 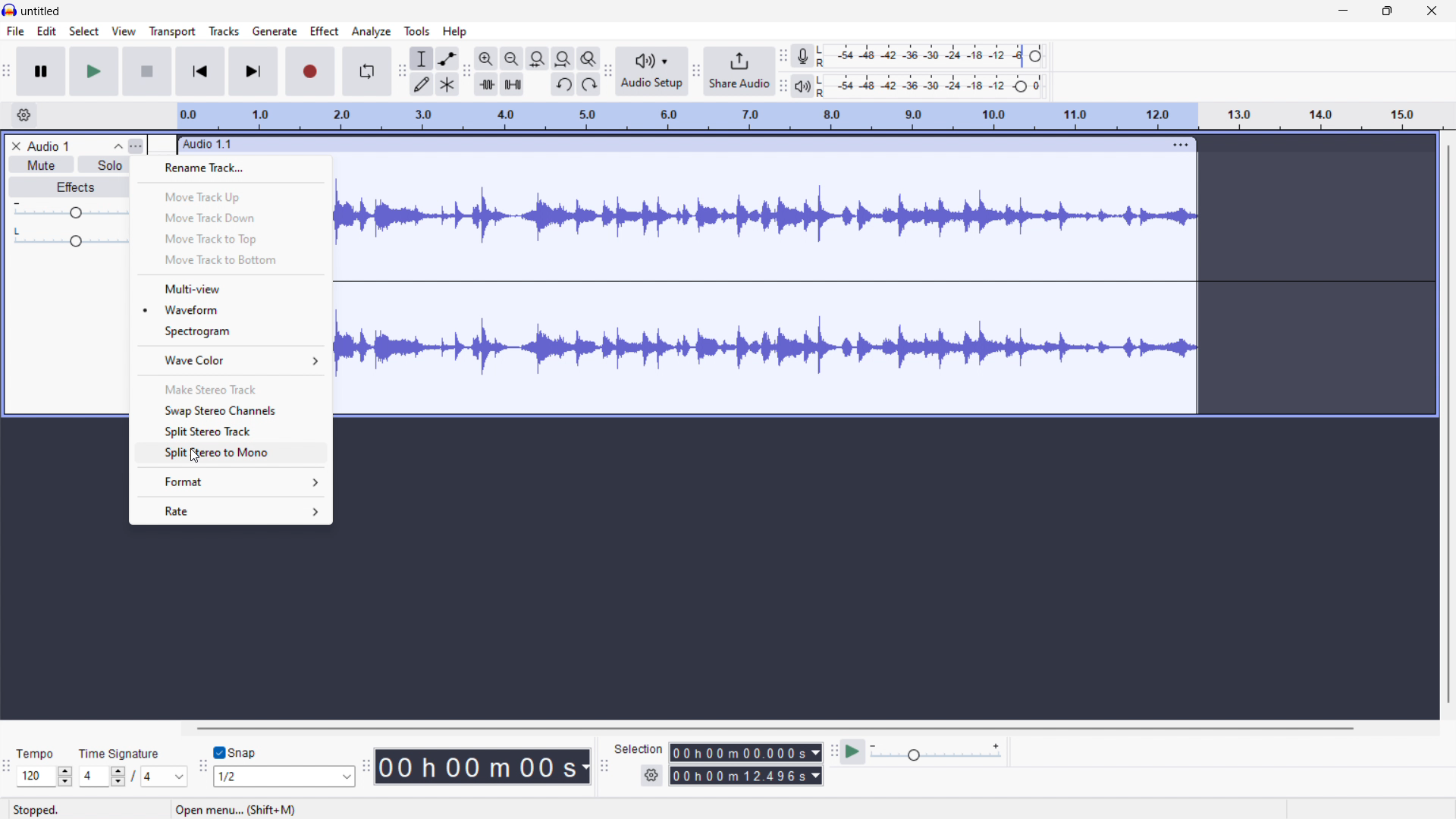 What do you see at coordinates (639, 748) in the screenshot?
I see `Selection` at bounding box center [639, 748].